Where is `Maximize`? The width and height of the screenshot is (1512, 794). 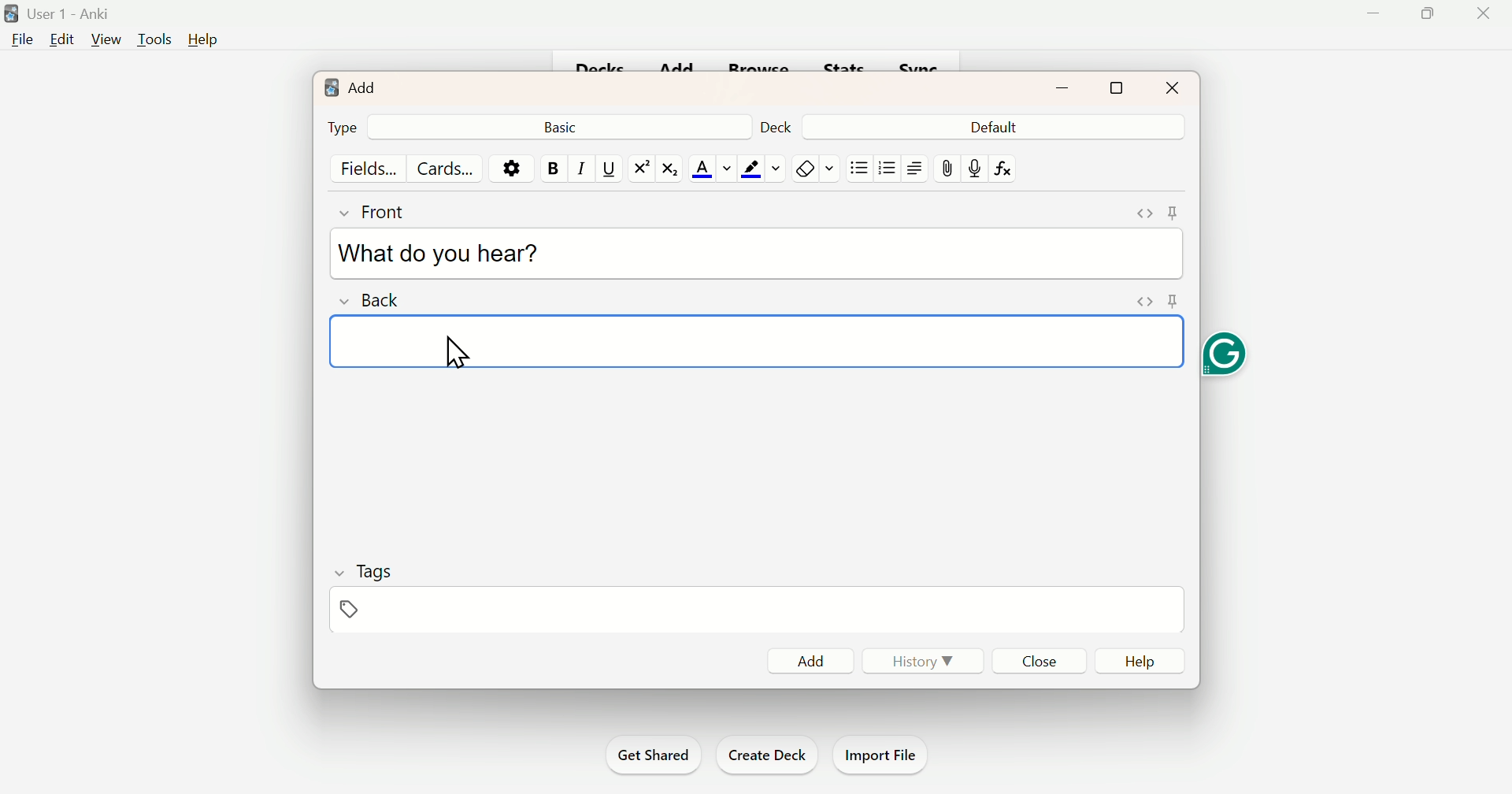
Maximize is located at coordinates (1432, 15).